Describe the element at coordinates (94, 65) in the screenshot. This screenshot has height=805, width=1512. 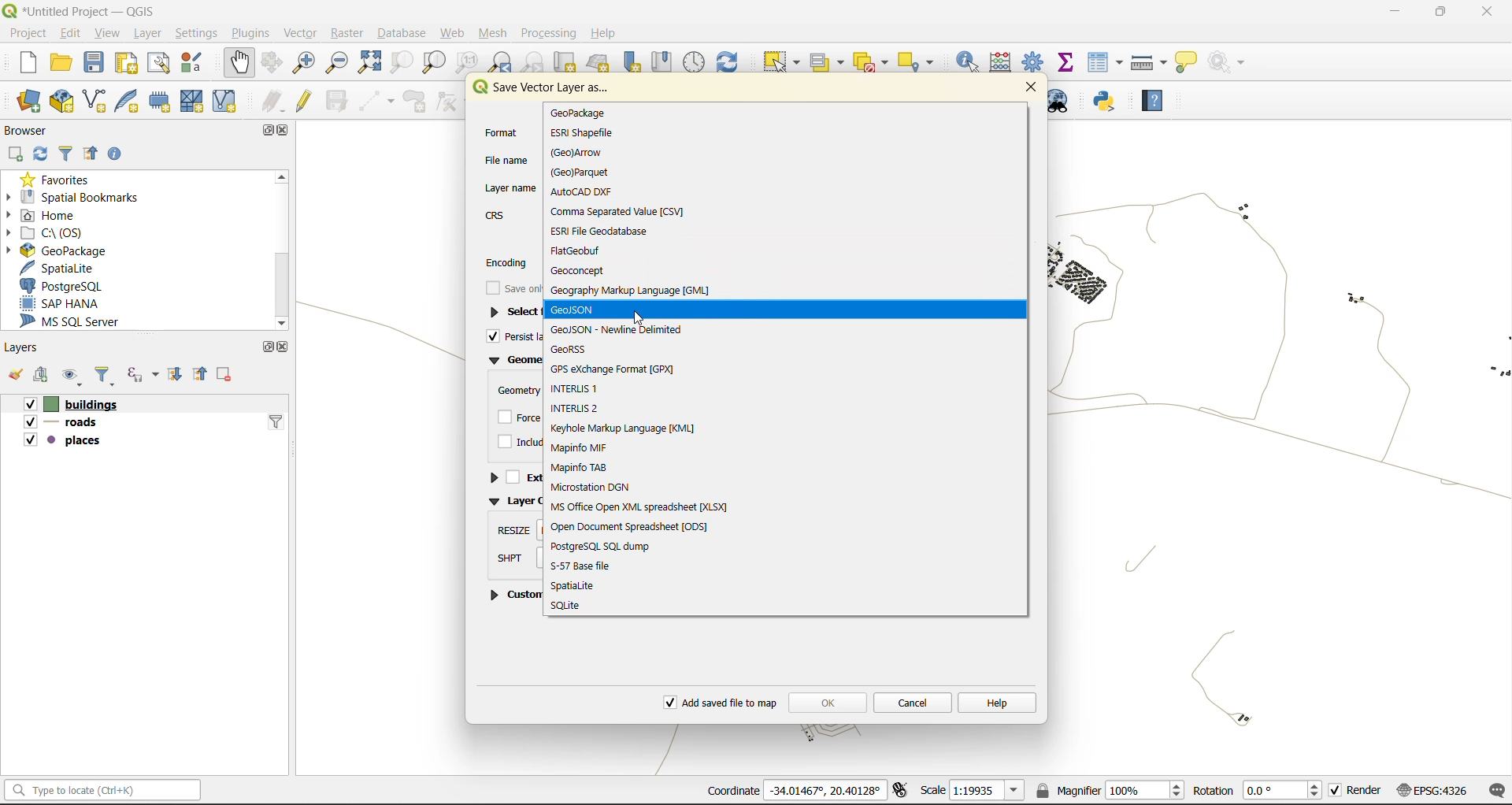
I see `save` at that location.